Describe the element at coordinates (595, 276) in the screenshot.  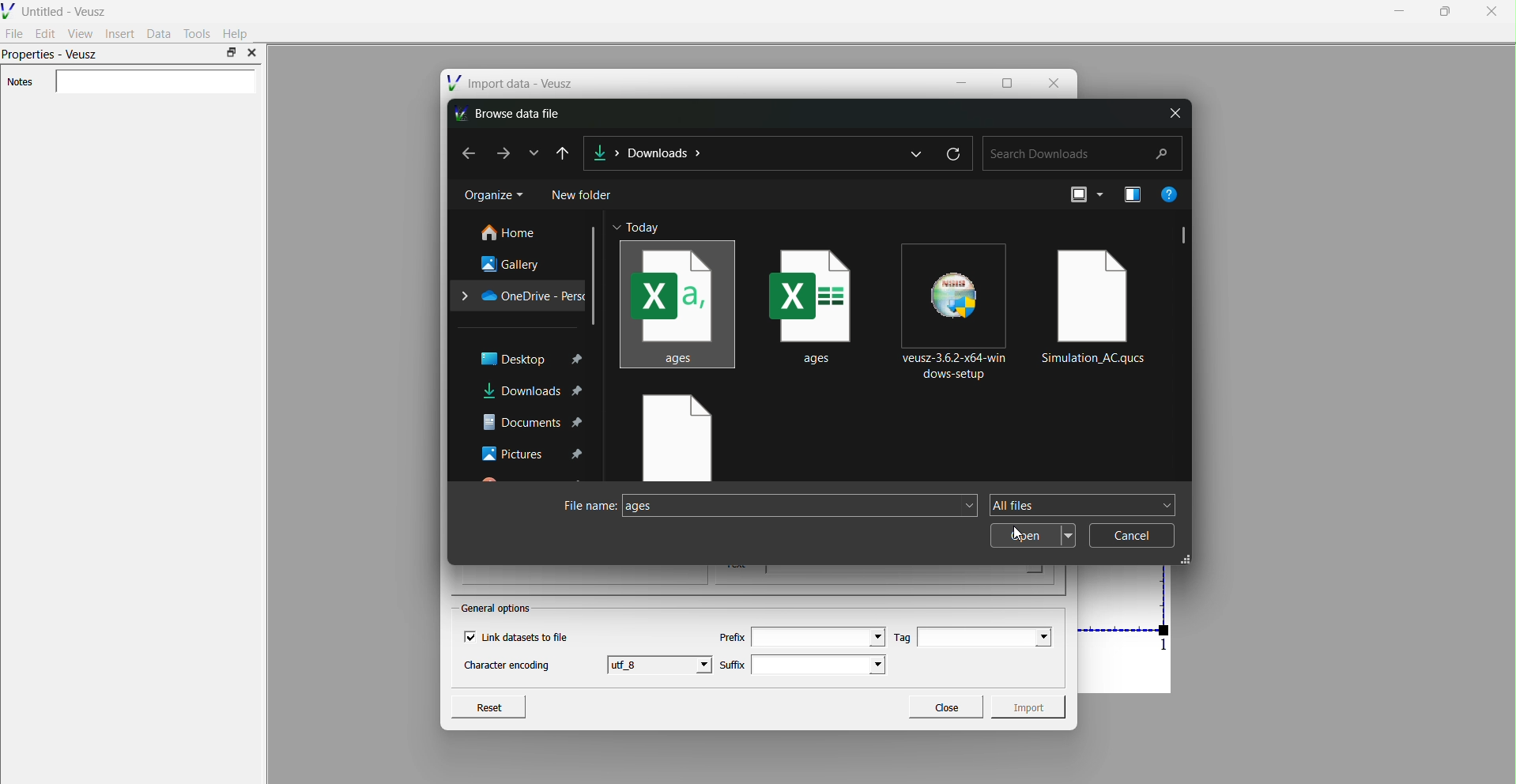
I see `scroll bar` at that location.